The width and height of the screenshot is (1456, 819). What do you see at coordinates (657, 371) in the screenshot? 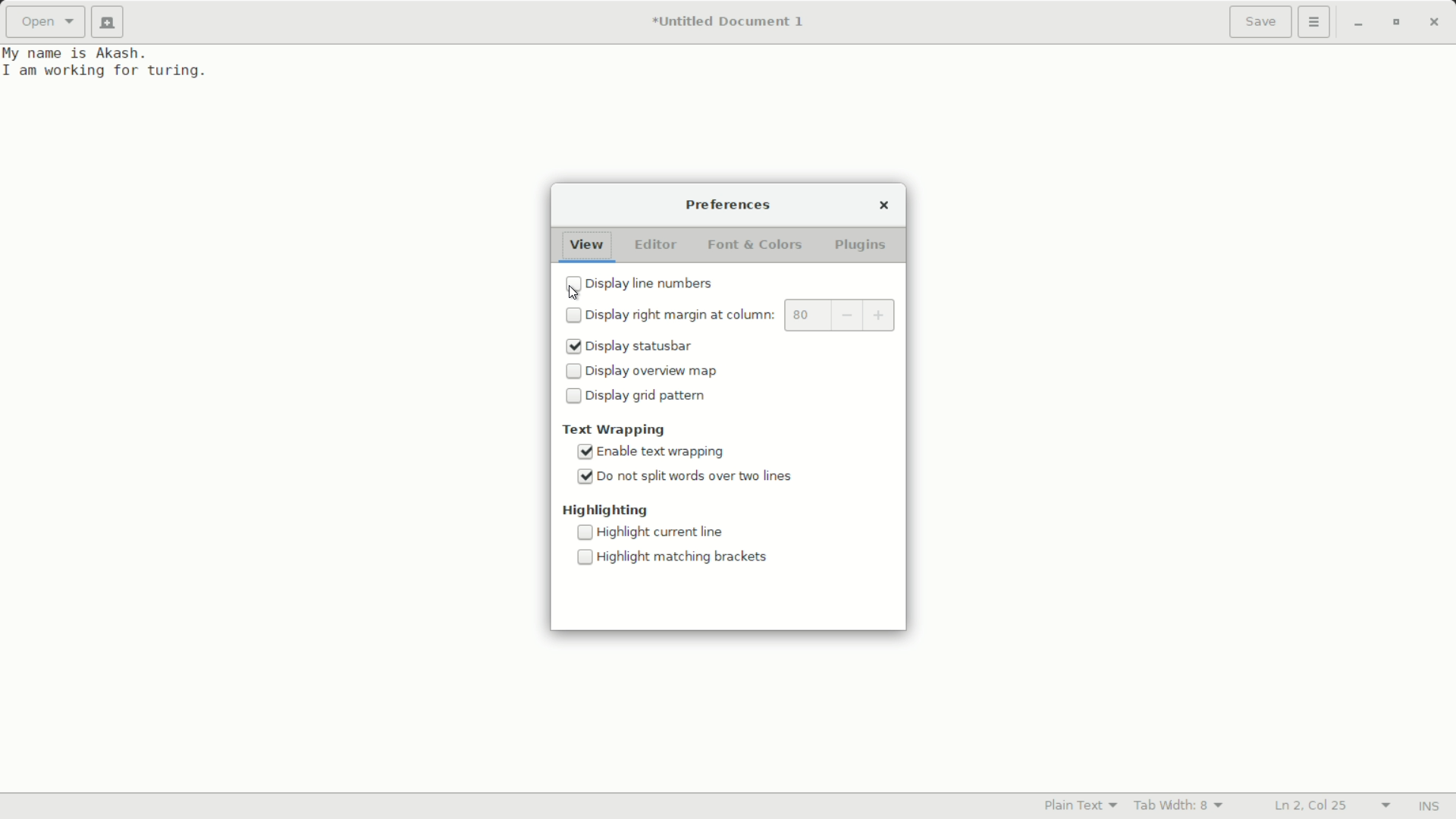
I see `display overview map` at bounding box center [657, 371].